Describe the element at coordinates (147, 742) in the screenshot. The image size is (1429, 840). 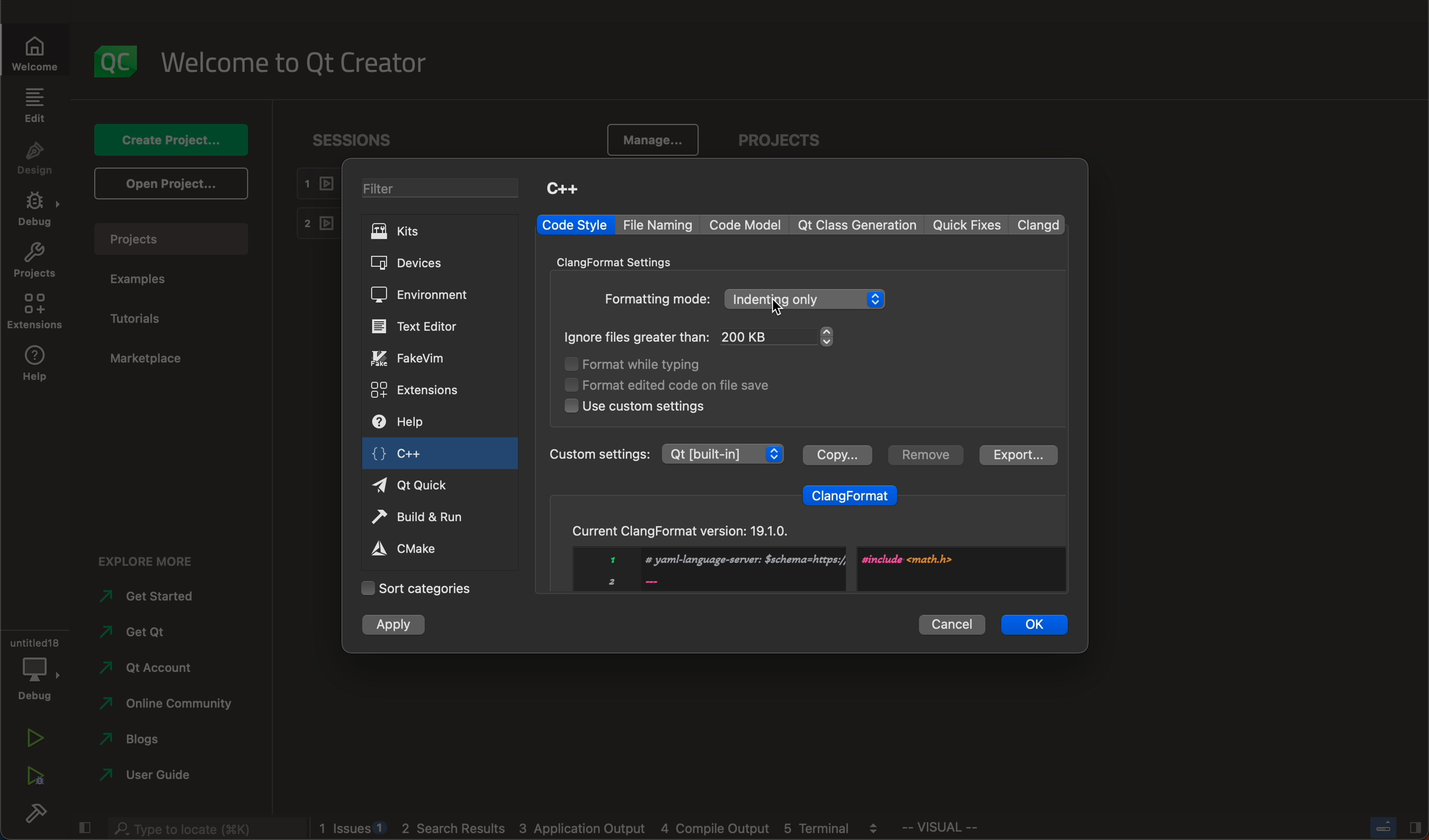
I see `blogs` at that location.